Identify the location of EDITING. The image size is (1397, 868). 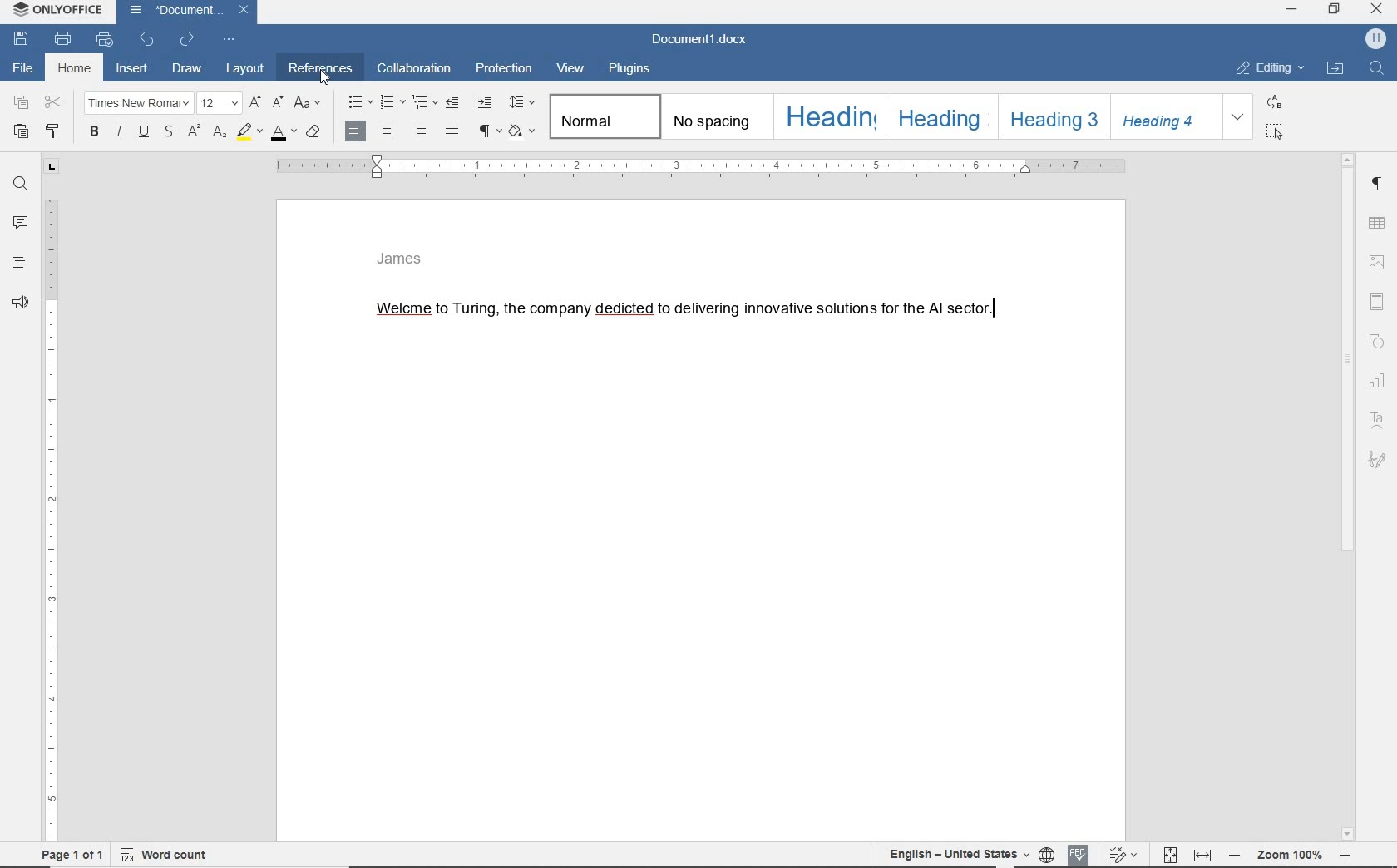
(1269, 68).